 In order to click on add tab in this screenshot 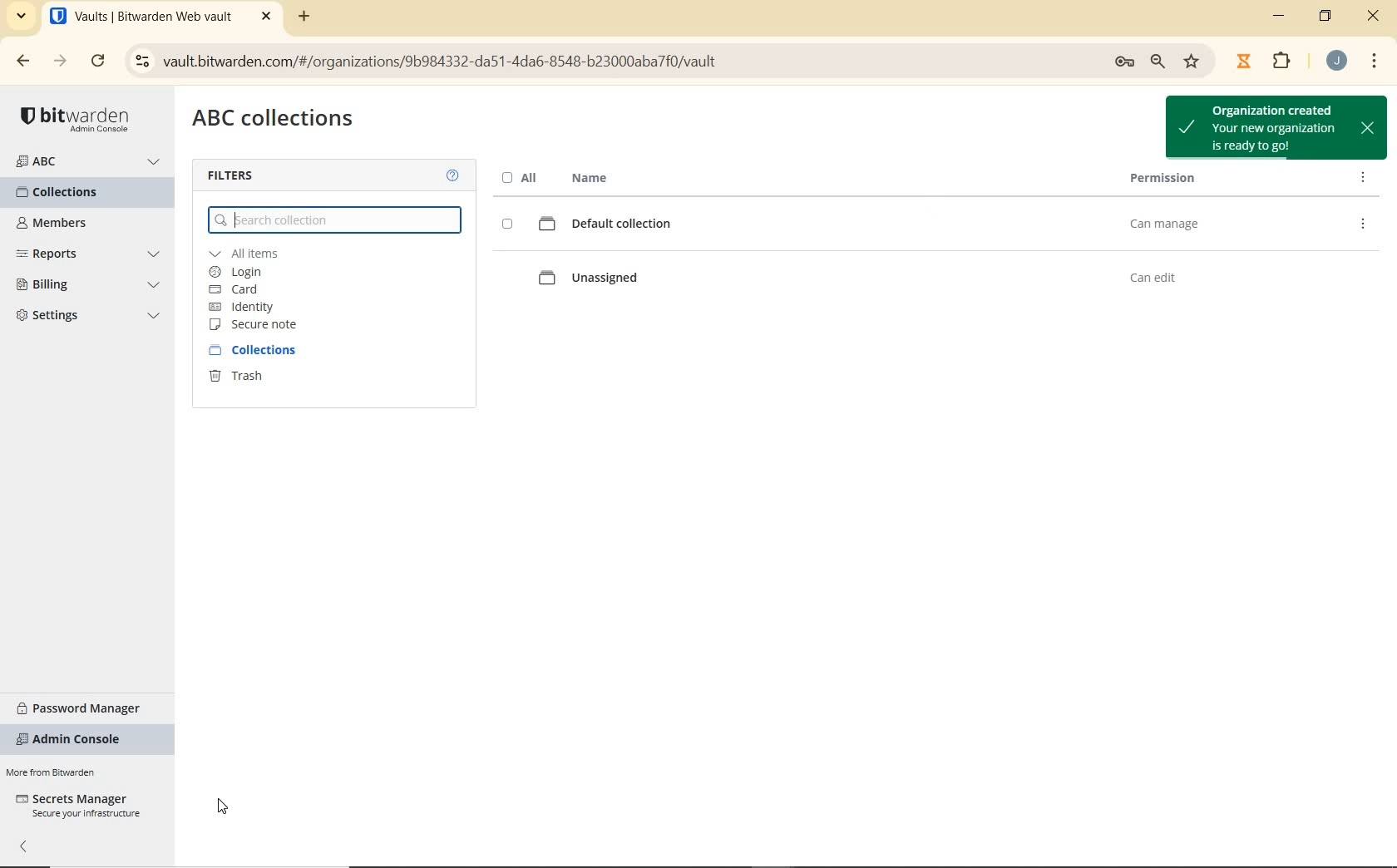, I will do `click(304, 16)`.